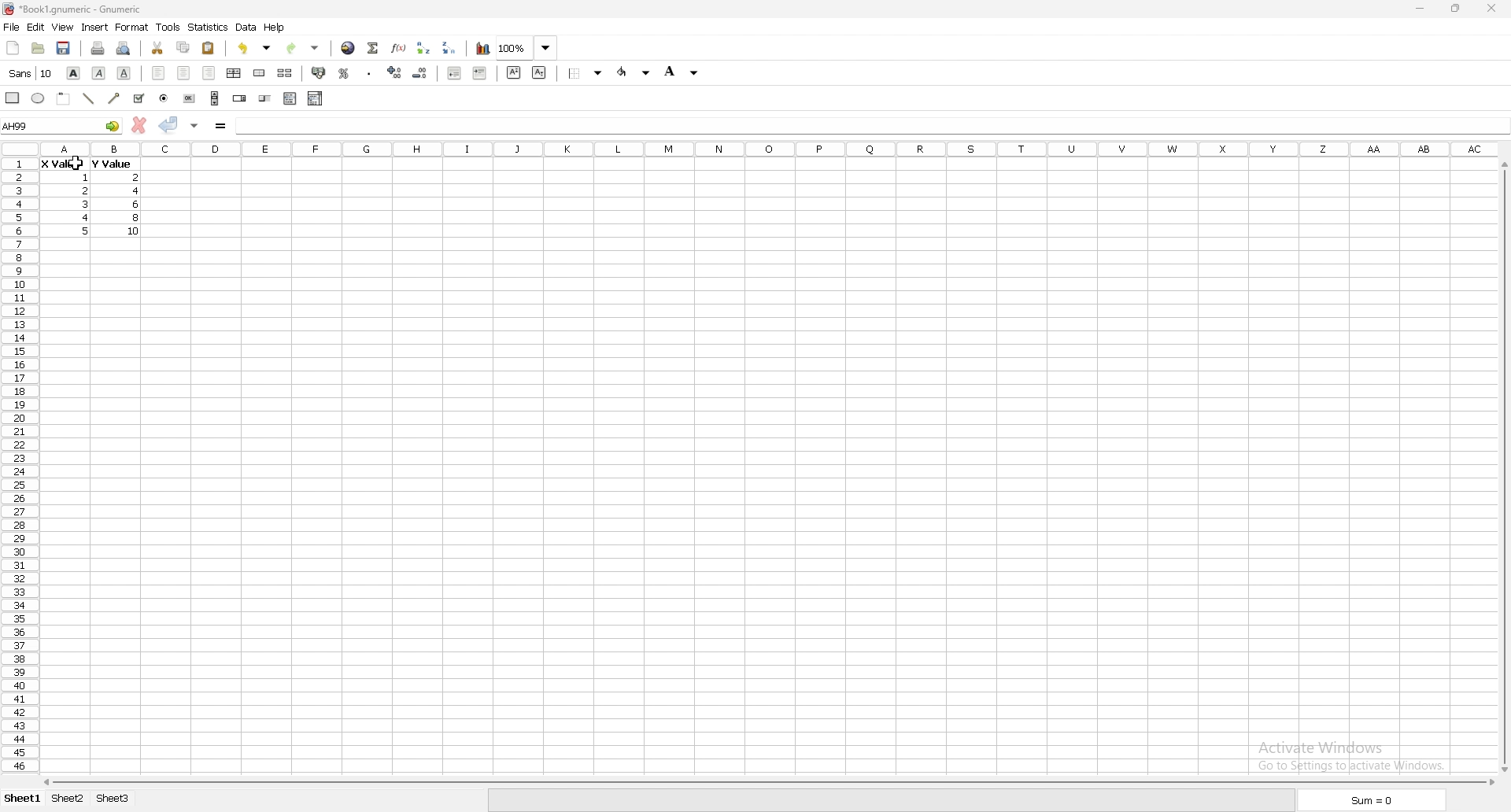 This screenshot has width=1511, height=812. What do you see at coordinates (72, 9) in the screenshot?
I see `file name` at bounding box center [72, 9].